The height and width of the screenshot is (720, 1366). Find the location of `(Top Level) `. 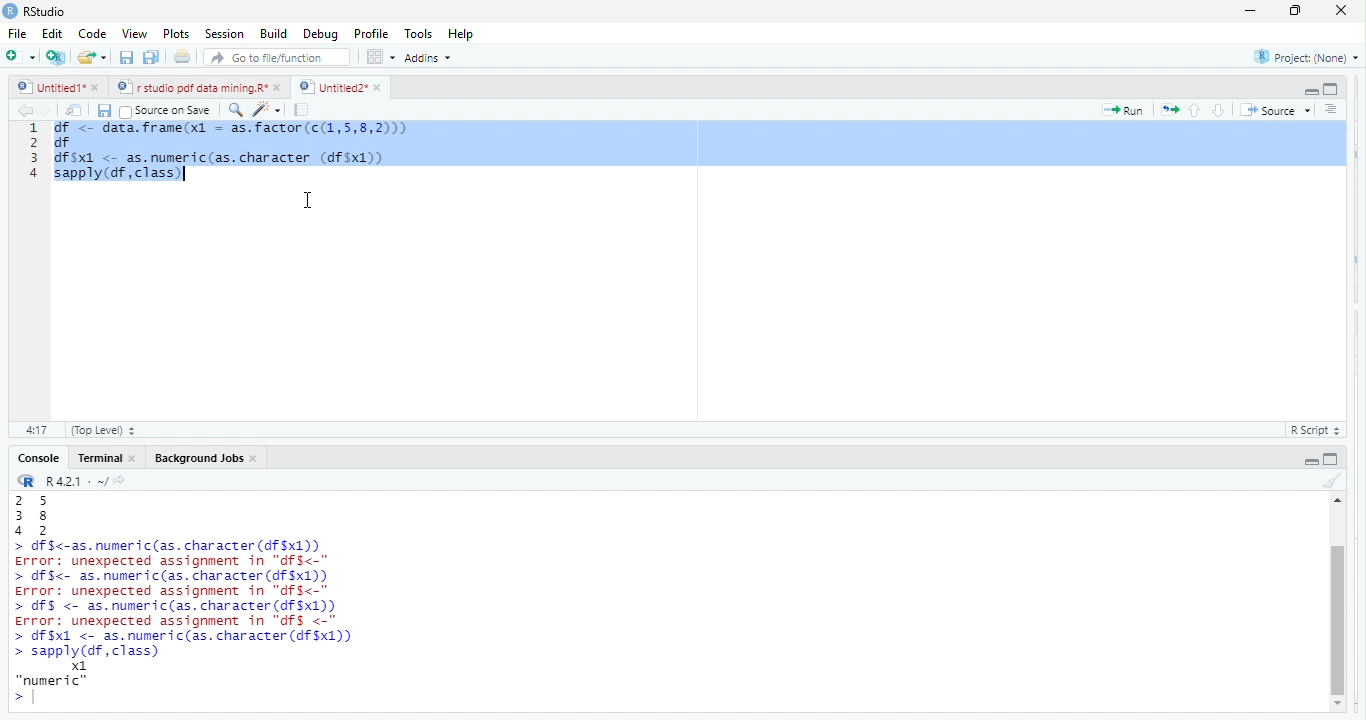

(Top Level)  is located at coordinates (100, 430).